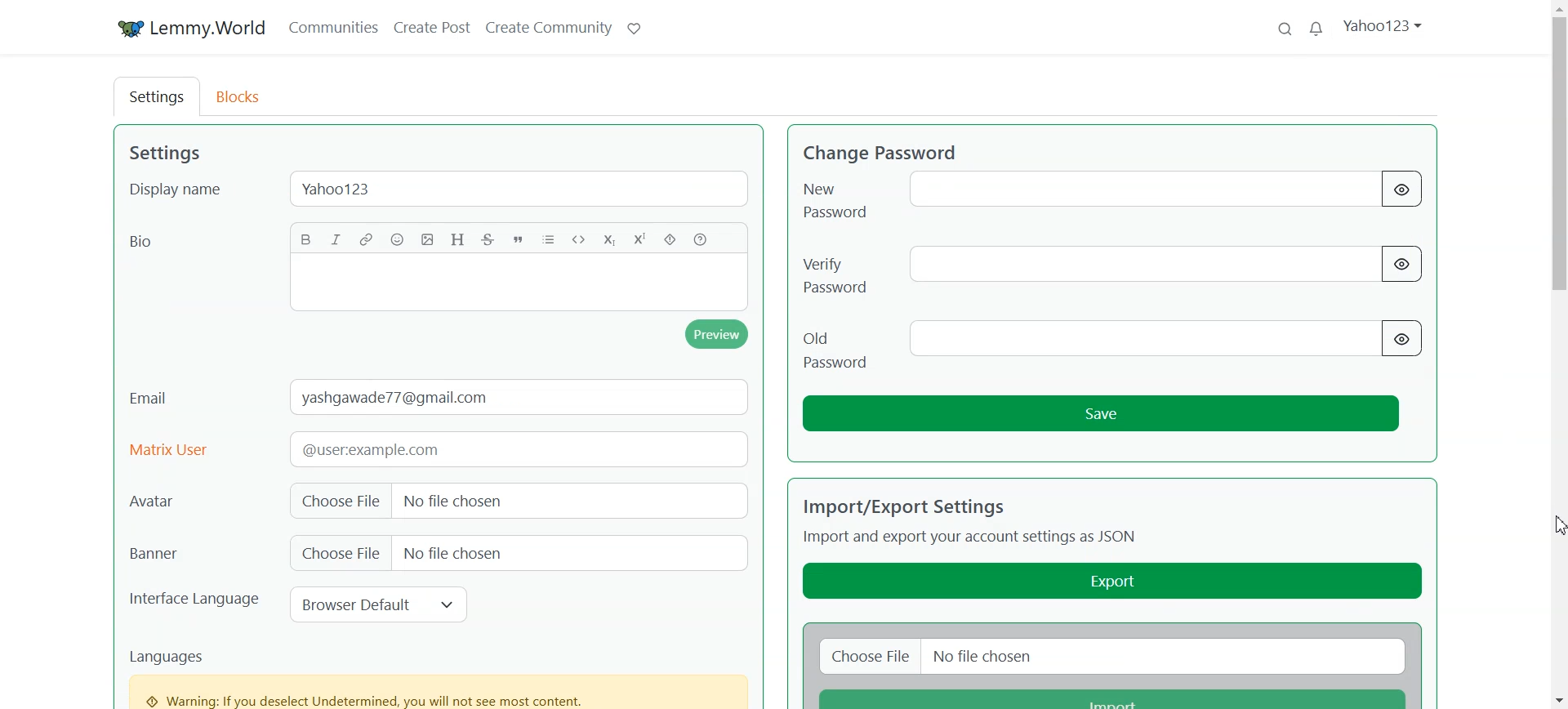 The height and width of the screenshot is (709, 1568). Describe the element at coordinates (193, 554) in the screenshot. I see `Banner` at that location.